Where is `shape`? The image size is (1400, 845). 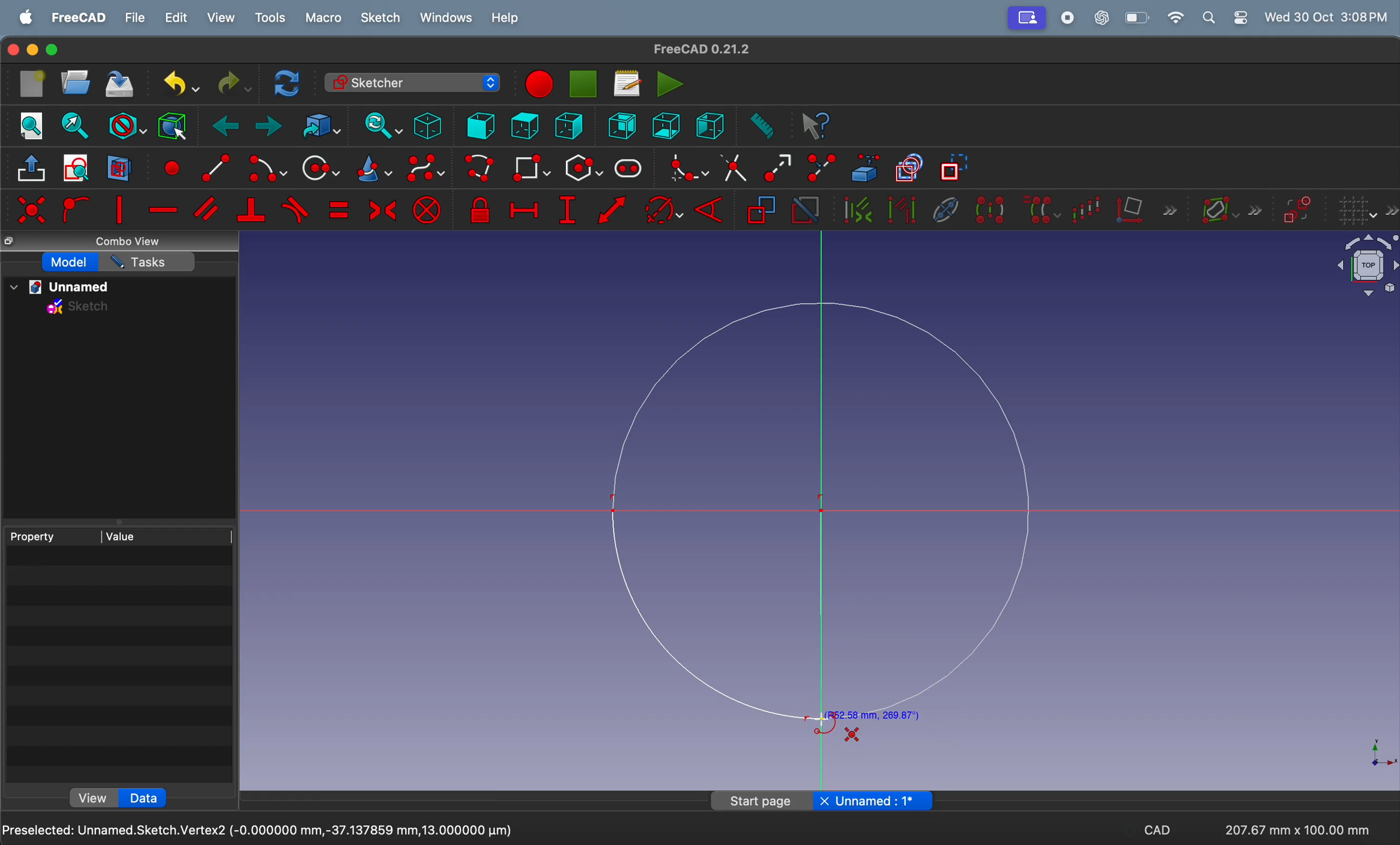
shape is located at coordinates (828, 519).